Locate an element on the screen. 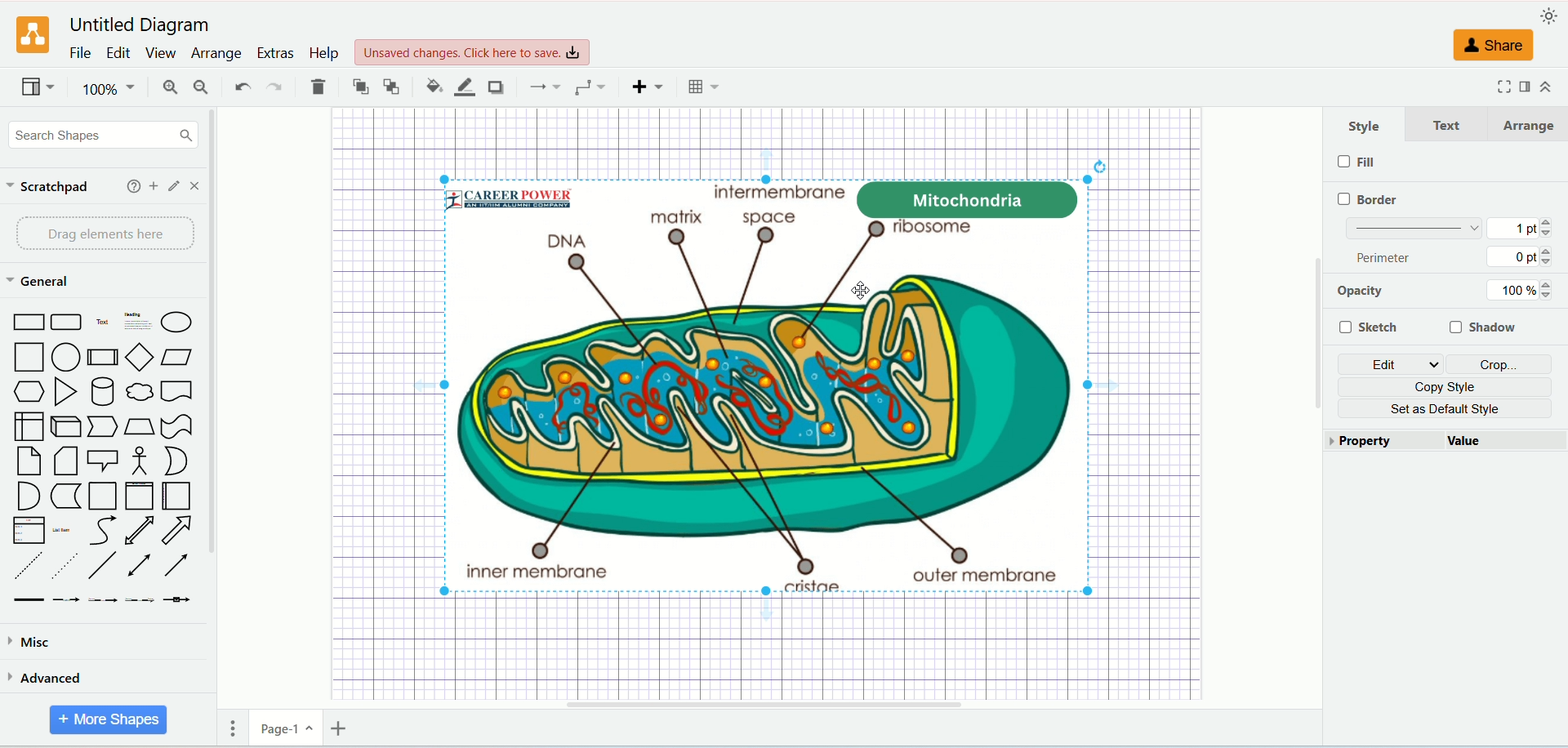  collapse/expand is located at coordinates (1546, 87).